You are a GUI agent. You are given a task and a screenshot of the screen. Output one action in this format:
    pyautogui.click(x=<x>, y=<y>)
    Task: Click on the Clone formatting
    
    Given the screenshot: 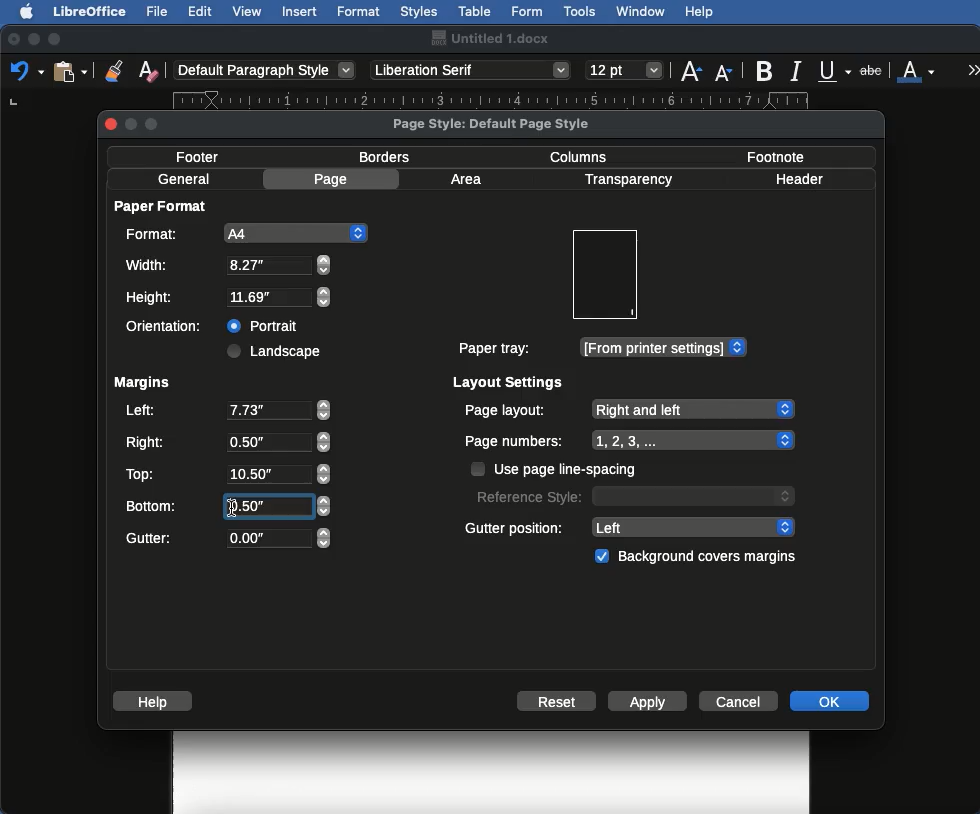 What is the action you would take?
    pyautogui.click(x=114, y=70)
    